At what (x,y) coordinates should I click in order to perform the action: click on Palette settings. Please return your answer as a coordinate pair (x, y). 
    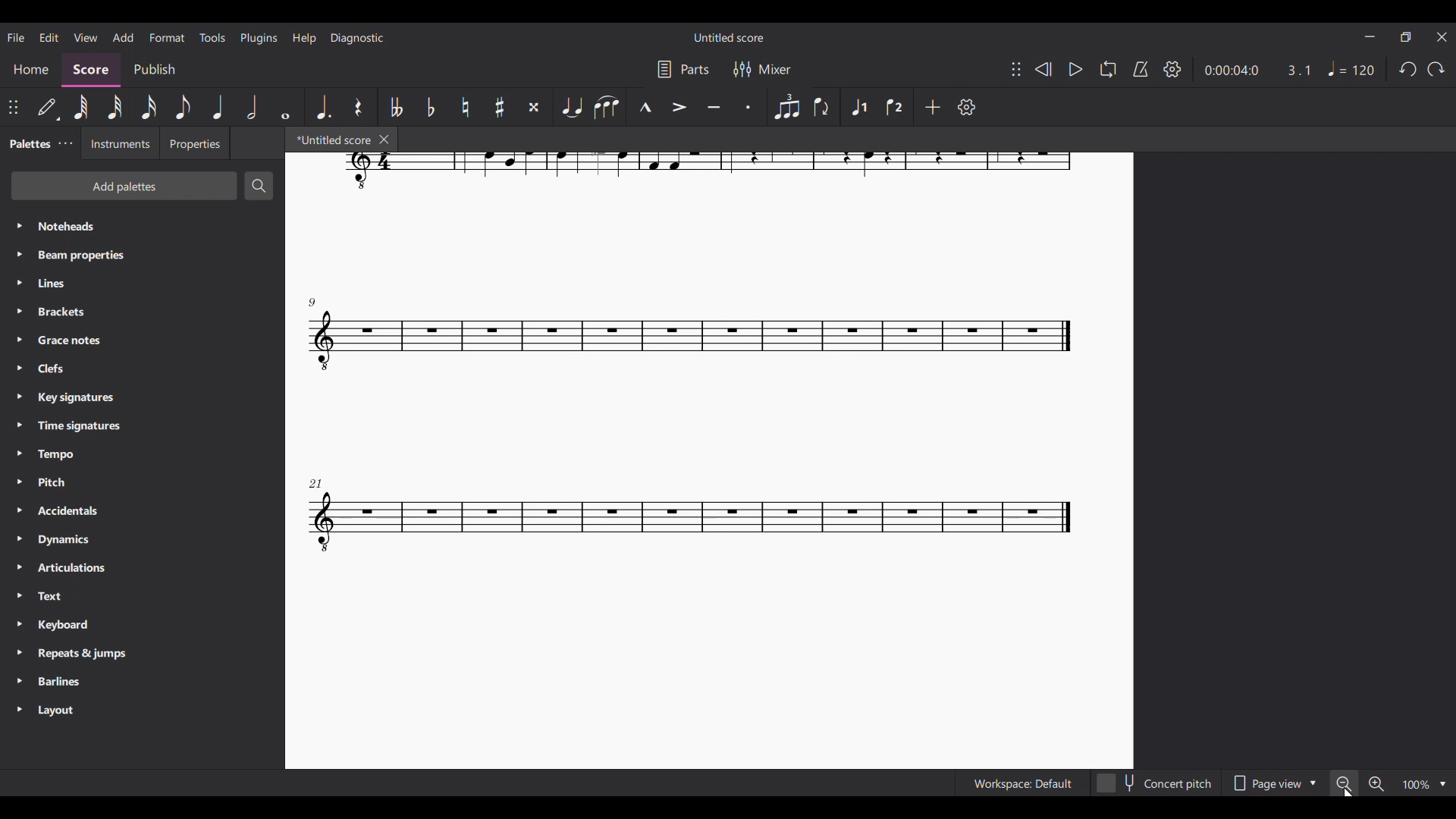
    Looking at the image, I should click on (65, 143).